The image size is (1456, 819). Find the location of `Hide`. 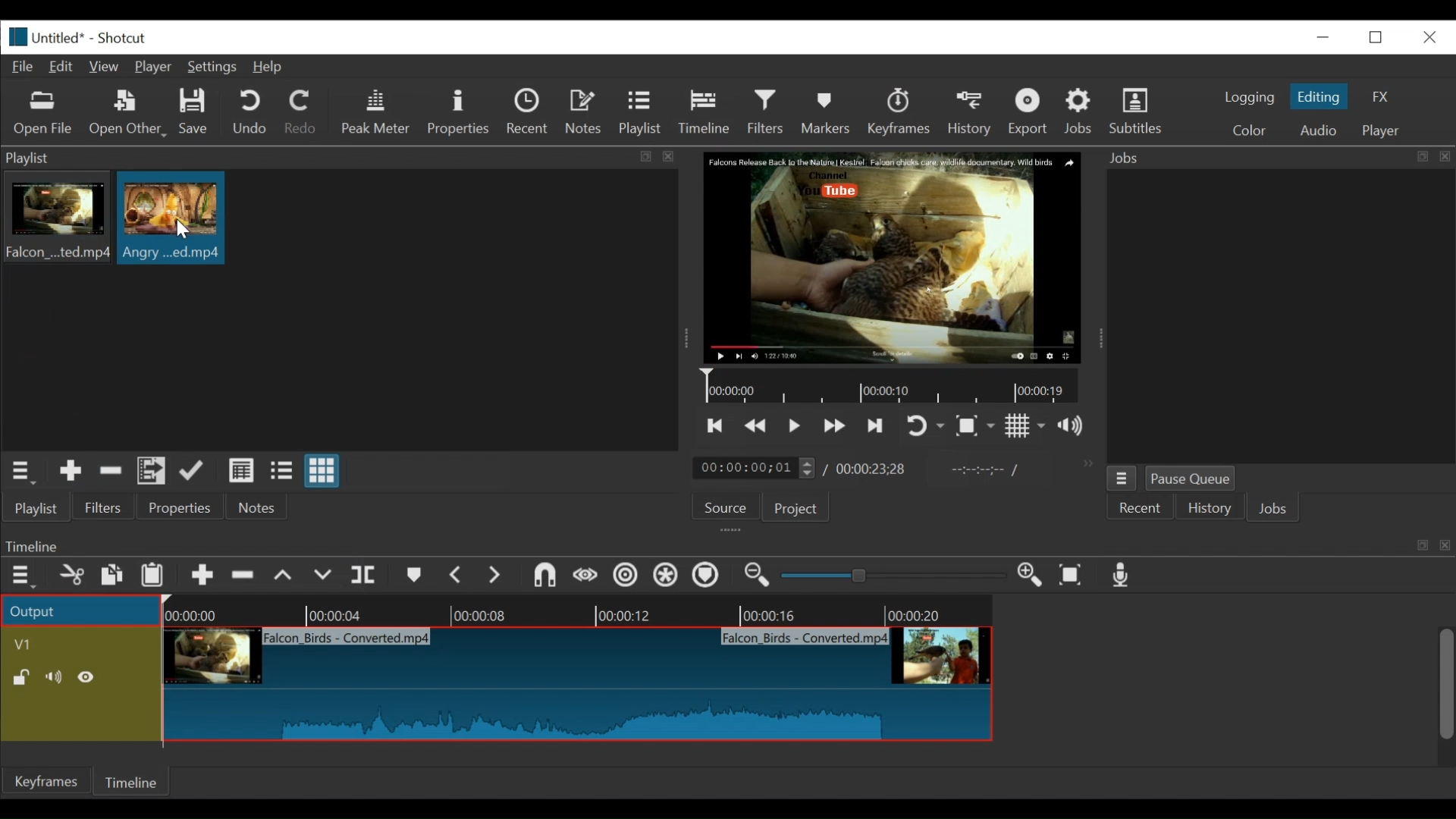

Hide is located at coordinates (90, 677).